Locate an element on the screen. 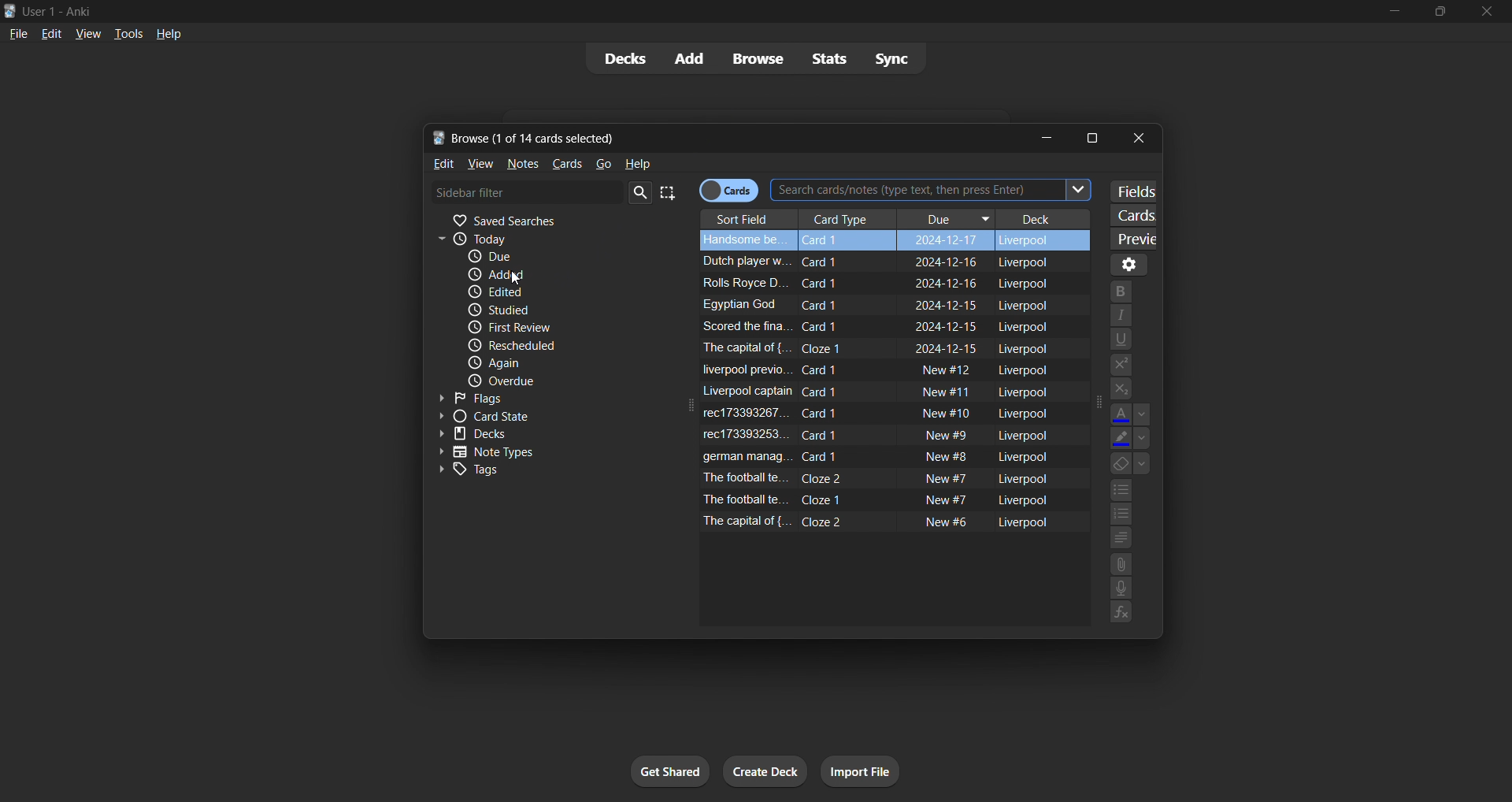 The height and width of the screenshot is (802, 1512). flags filter toggle is located at coordinates (545, 398).